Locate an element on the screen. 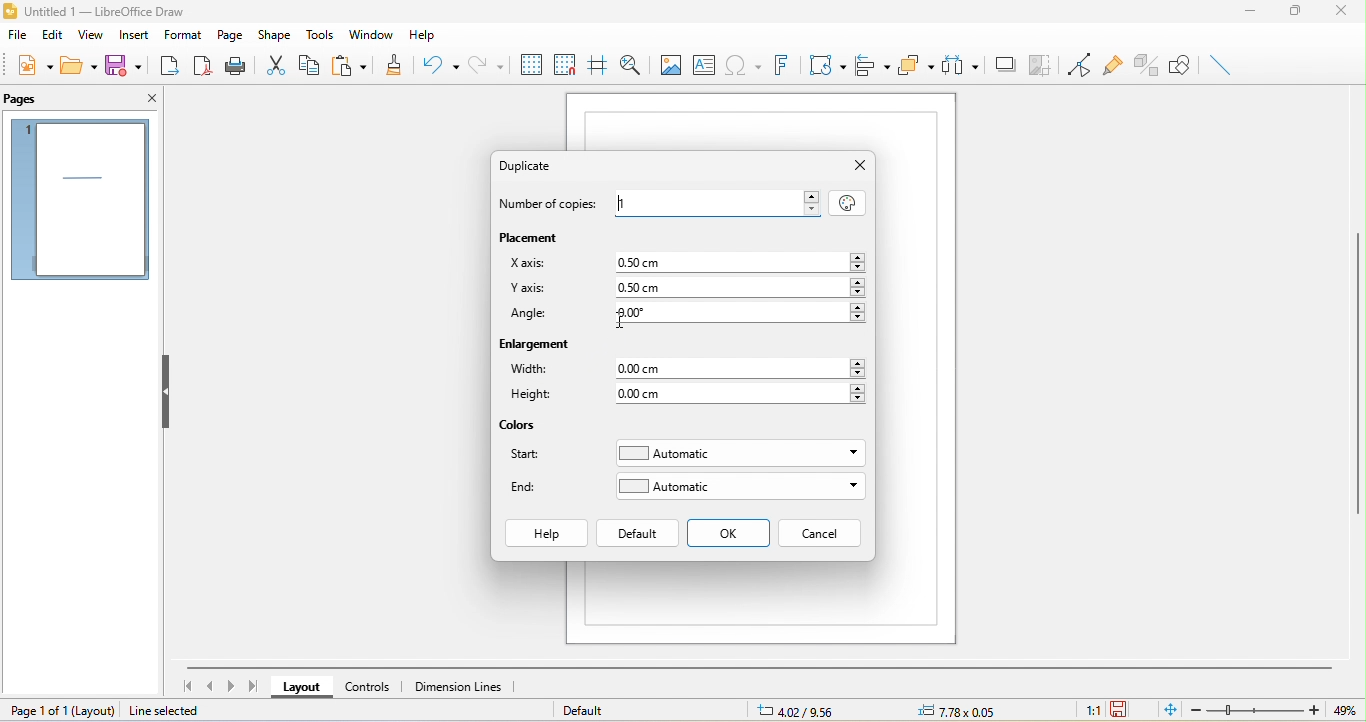 The image size is (1366, 722). default is located at coordinates (638, 533).